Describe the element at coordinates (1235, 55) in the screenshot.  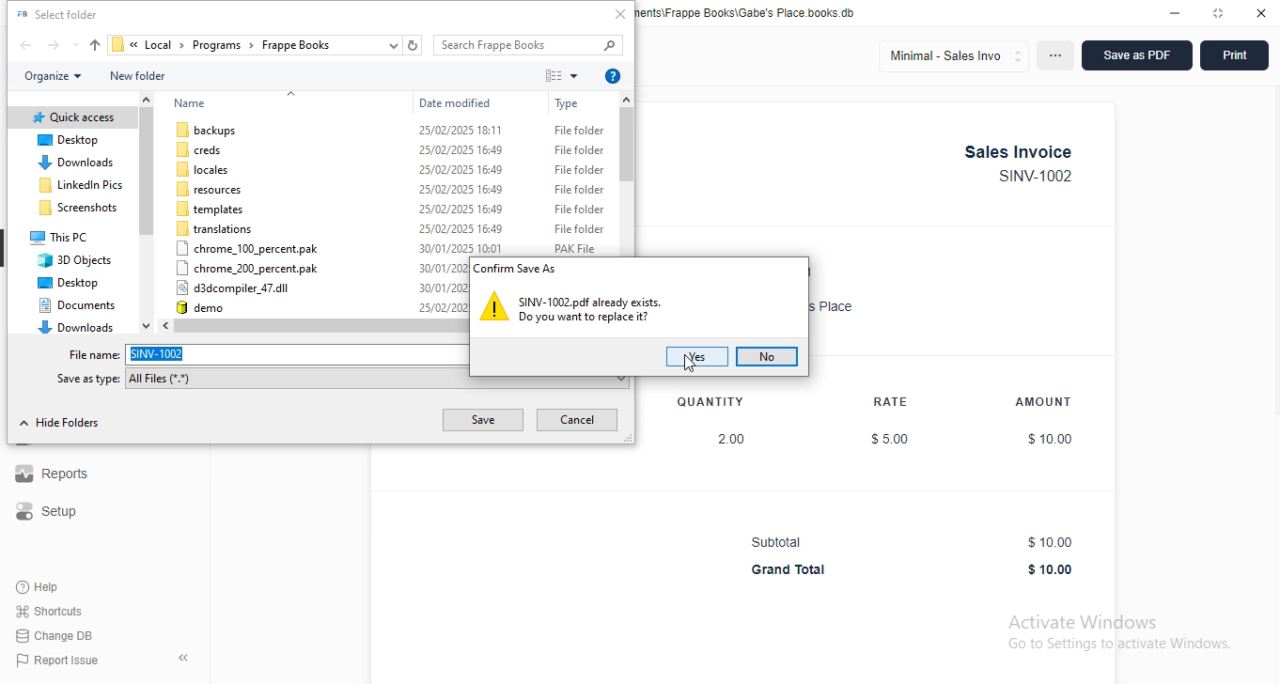
I see `print` at that location.